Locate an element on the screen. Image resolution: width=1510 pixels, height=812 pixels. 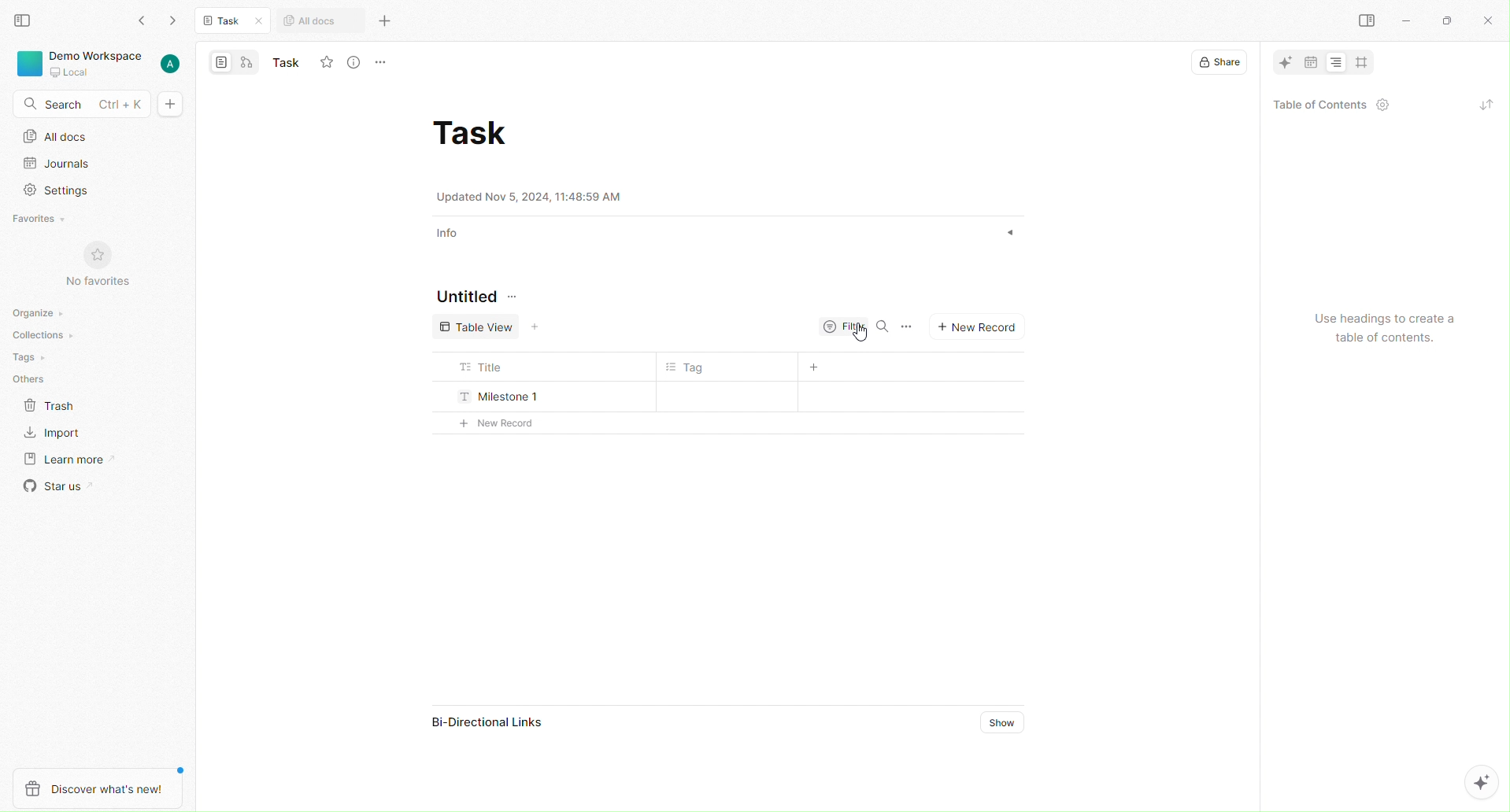
Alignment is located at coordinates (1336, 62).